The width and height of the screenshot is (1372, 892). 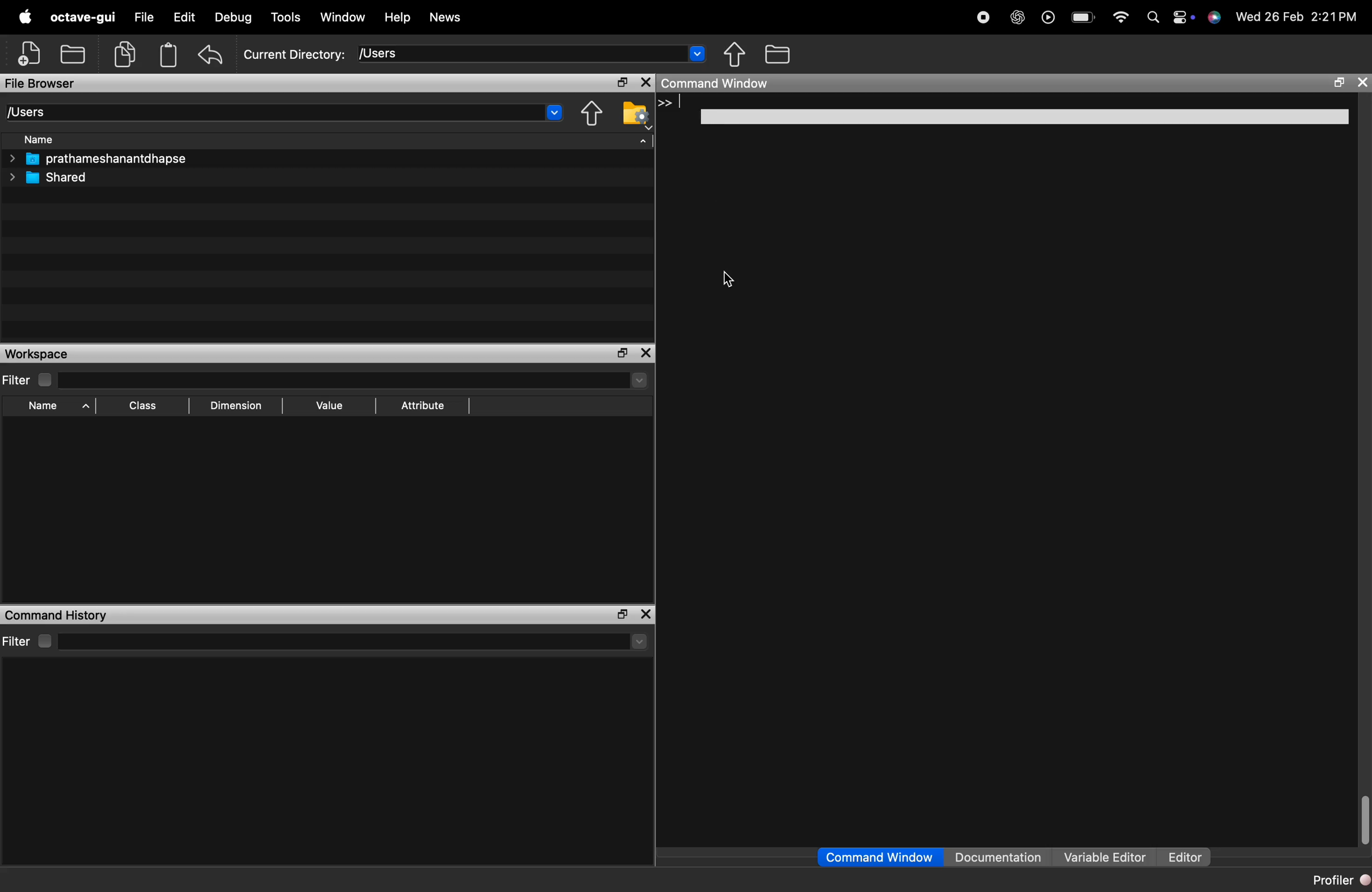 I want to click on Profiler, so click(x=1341, y=878).